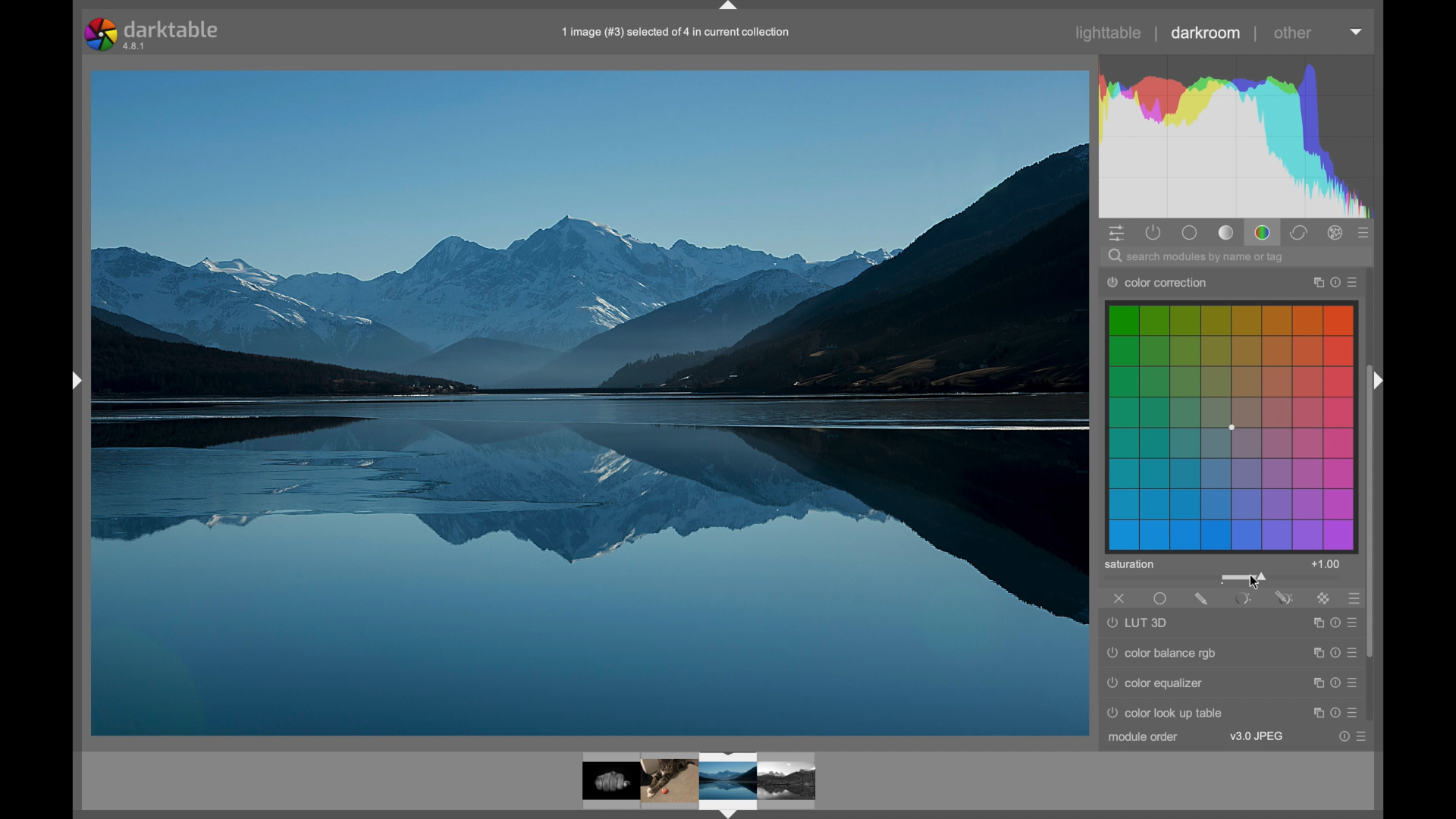 The height and width of the screenshot is (819, 1456). What do you see at coordinates (1161, 598) in the screenshot?
I see `uniformly` at bounding box center [1161, 598].